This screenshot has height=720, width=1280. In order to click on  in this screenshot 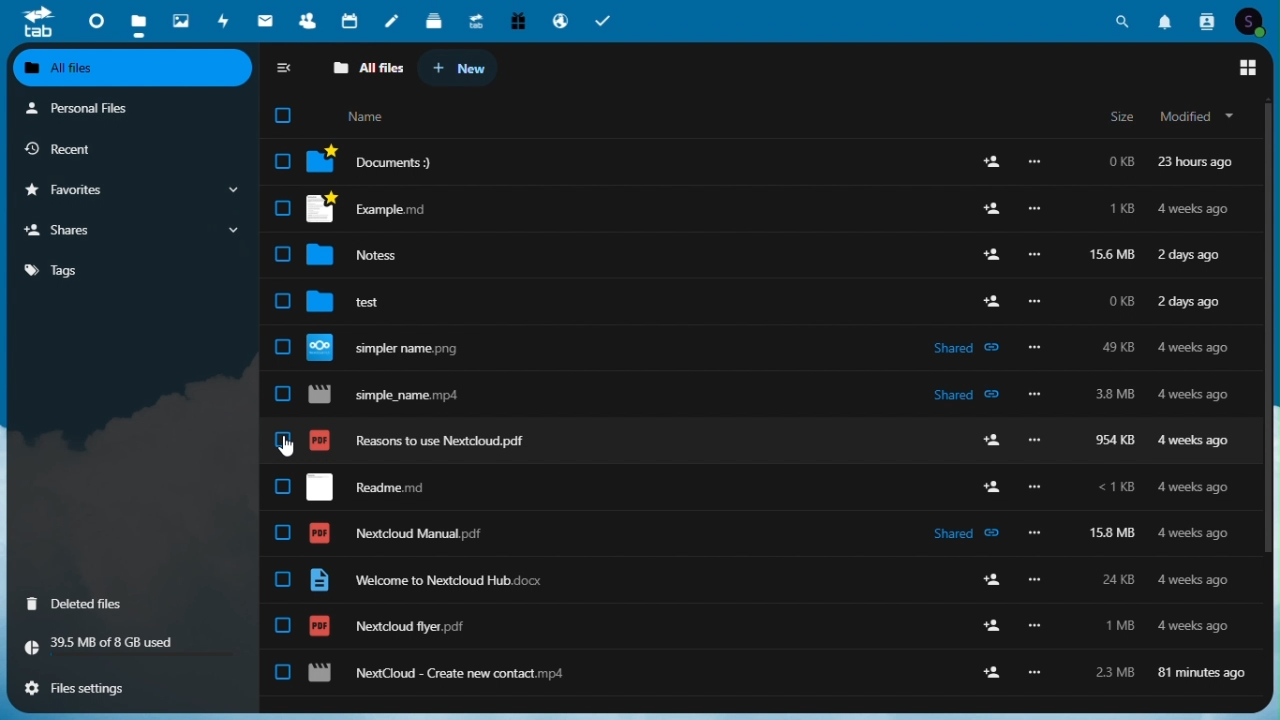, I will do `click(281, 208)`.